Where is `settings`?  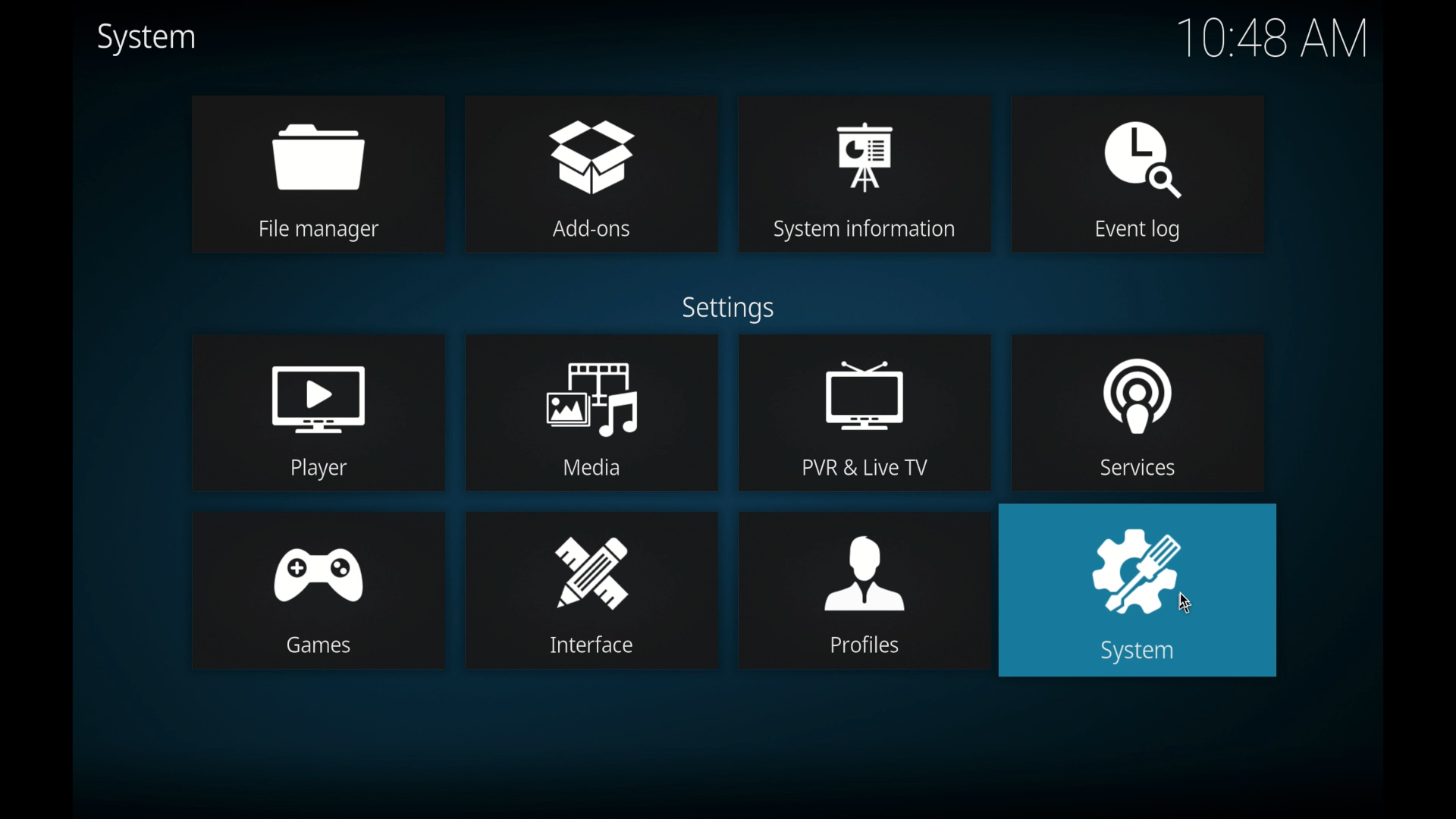
settings is located at coordinates (726, 309).